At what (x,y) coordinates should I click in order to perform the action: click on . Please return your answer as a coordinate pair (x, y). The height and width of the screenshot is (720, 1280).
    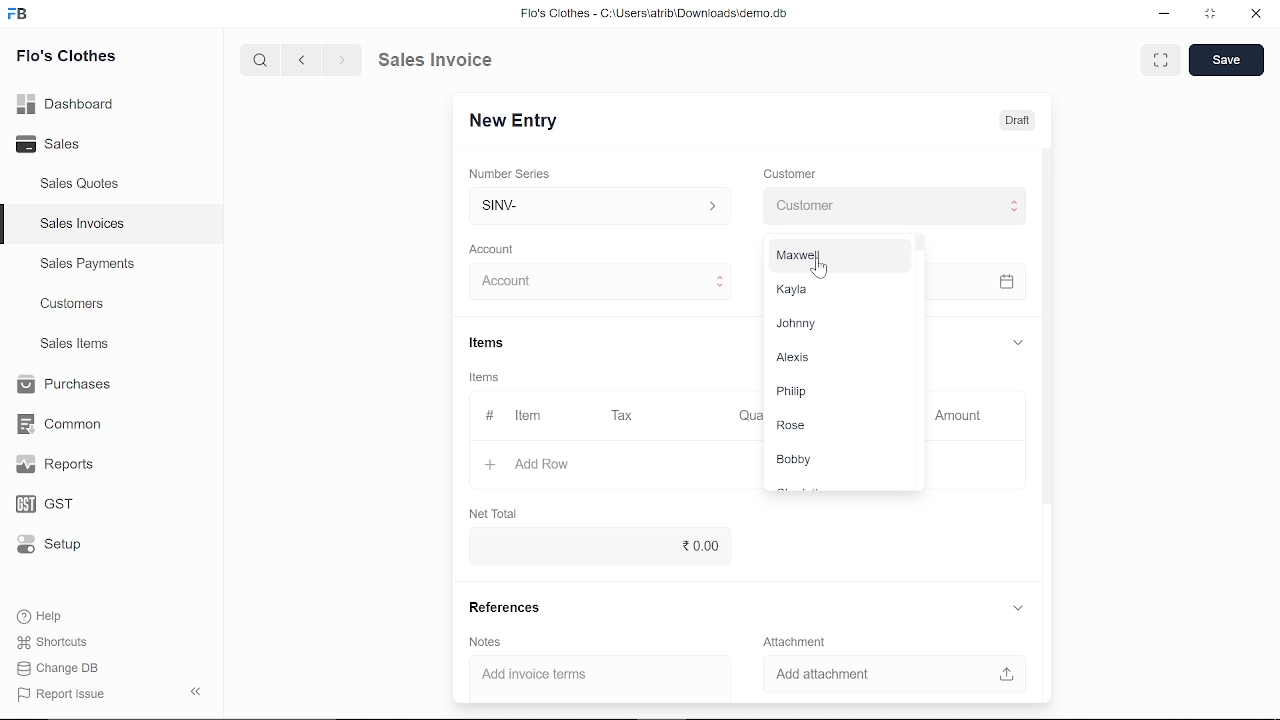
    Looking at the image, I should click on (487, 379).